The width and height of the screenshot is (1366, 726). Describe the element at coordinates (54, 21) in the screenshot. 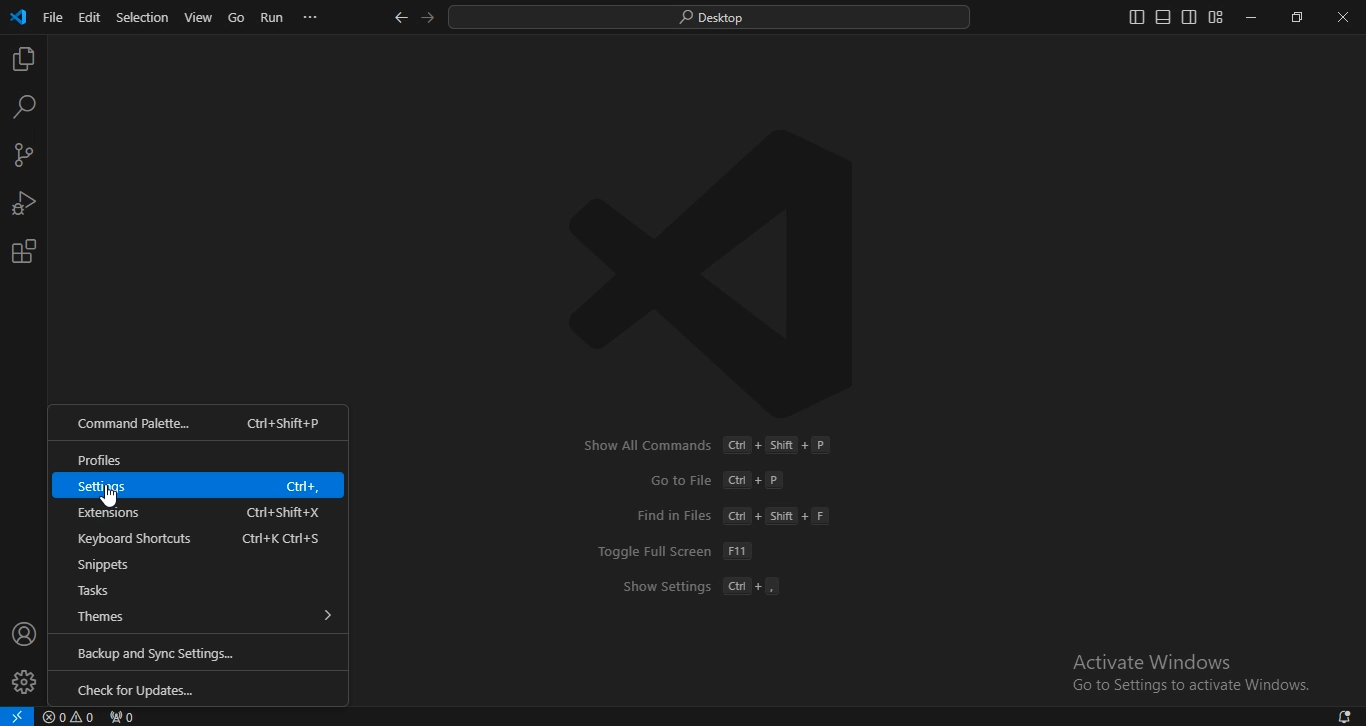

I see `file` at that location.